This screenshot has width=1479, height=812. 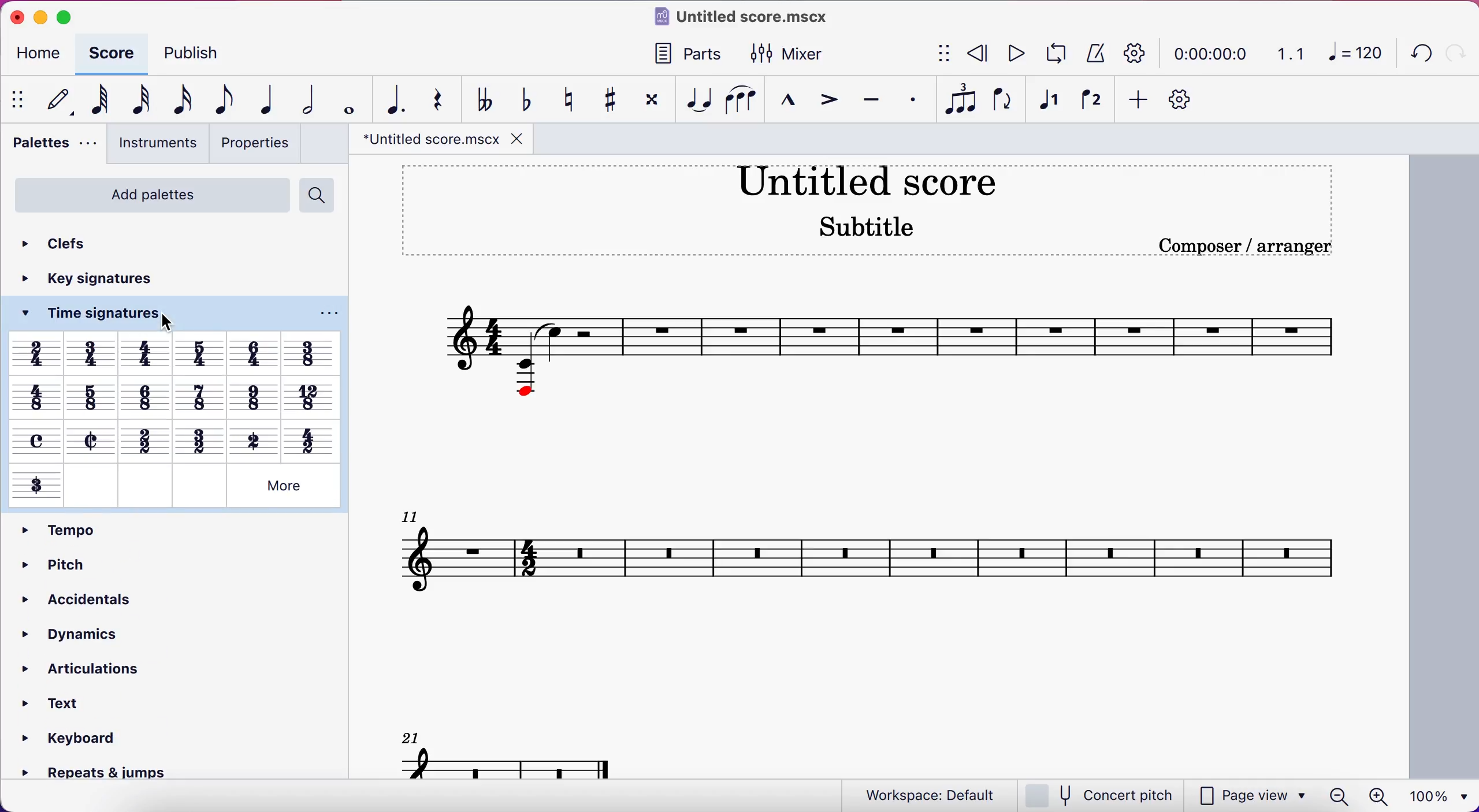 I want to click on stacato, so click(x=909, y=100).